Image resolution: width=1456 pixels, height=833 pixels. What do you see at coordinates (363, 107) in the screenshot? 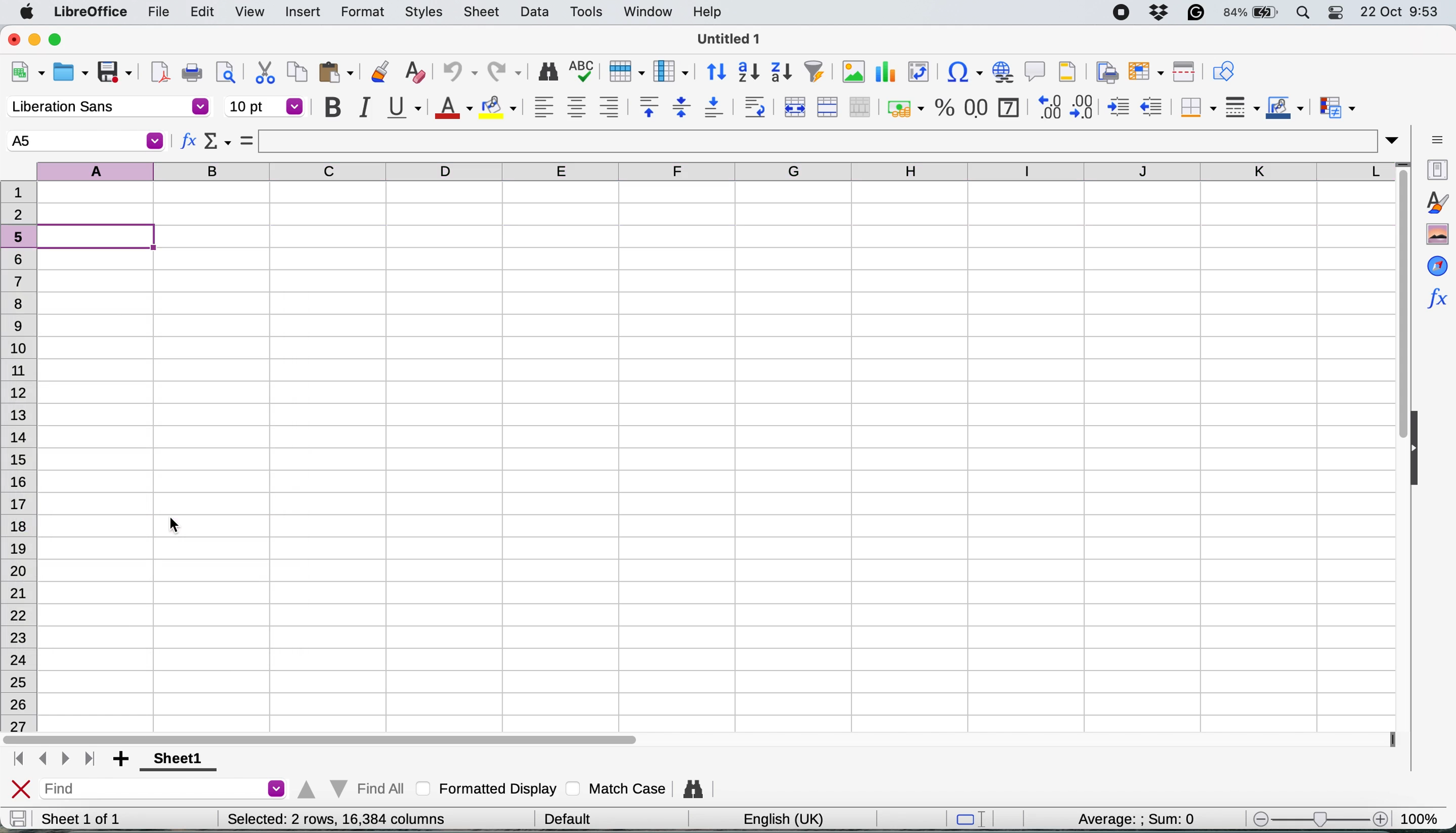
I see `italic` at bounding box center [363, 107].